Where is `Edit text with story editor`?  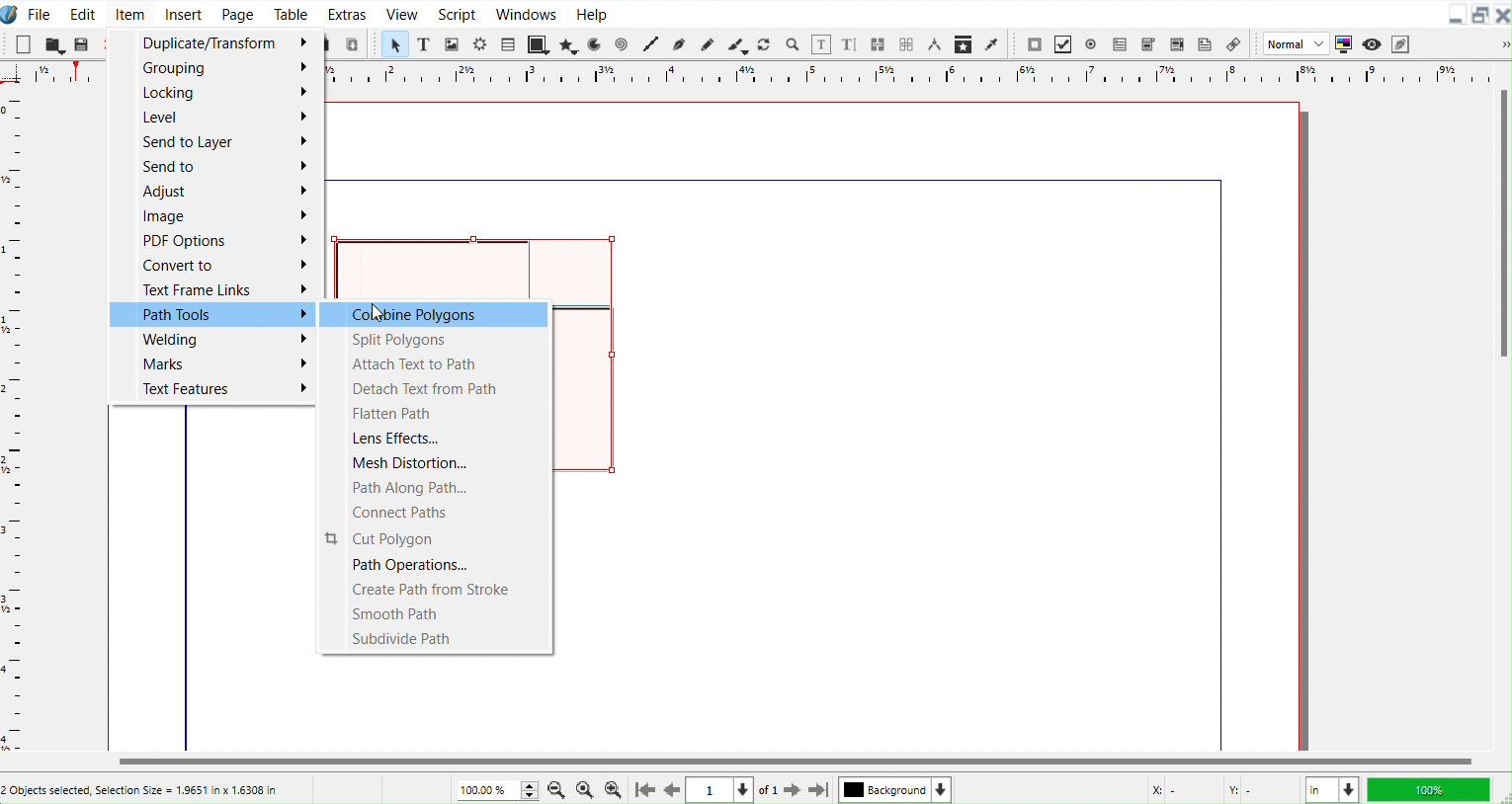
Edit text with story editor is located at coordinates (851, 44).